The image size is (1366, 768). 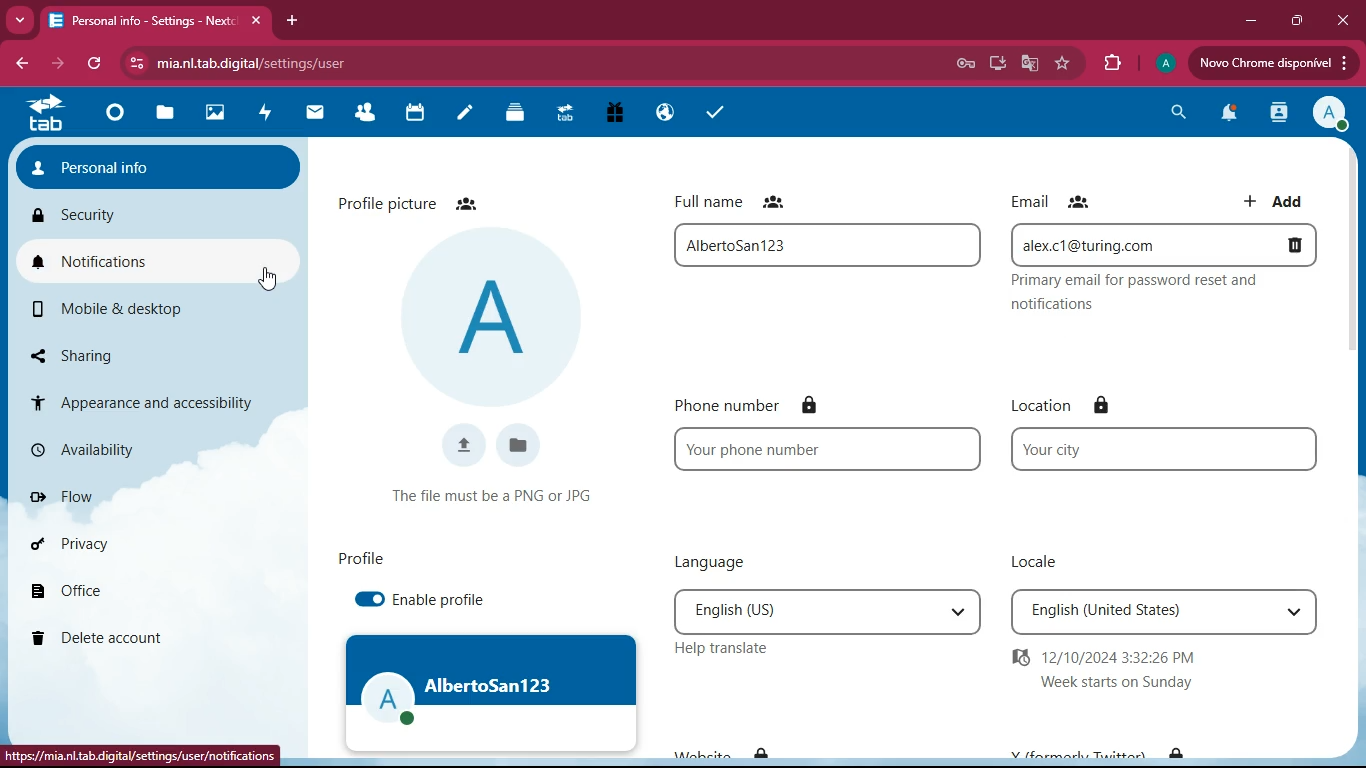 What do you see at coordinates (1065, 64) in the screenshot?
I see `favourite` at bounding box center [1065, 64].